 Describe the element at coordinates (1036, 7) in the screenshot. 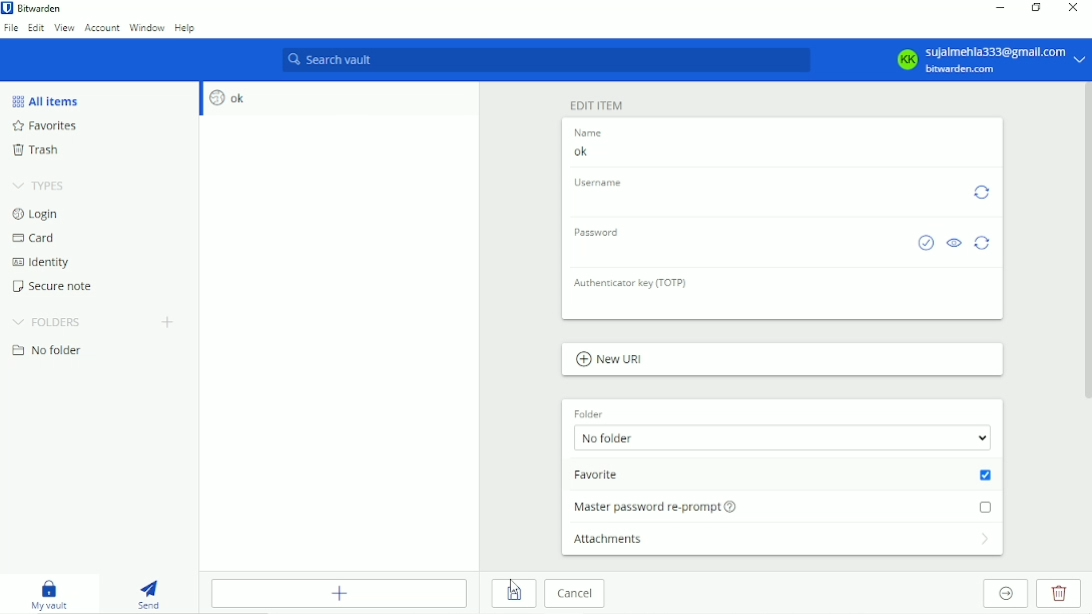

I see `Restore down` at that location.